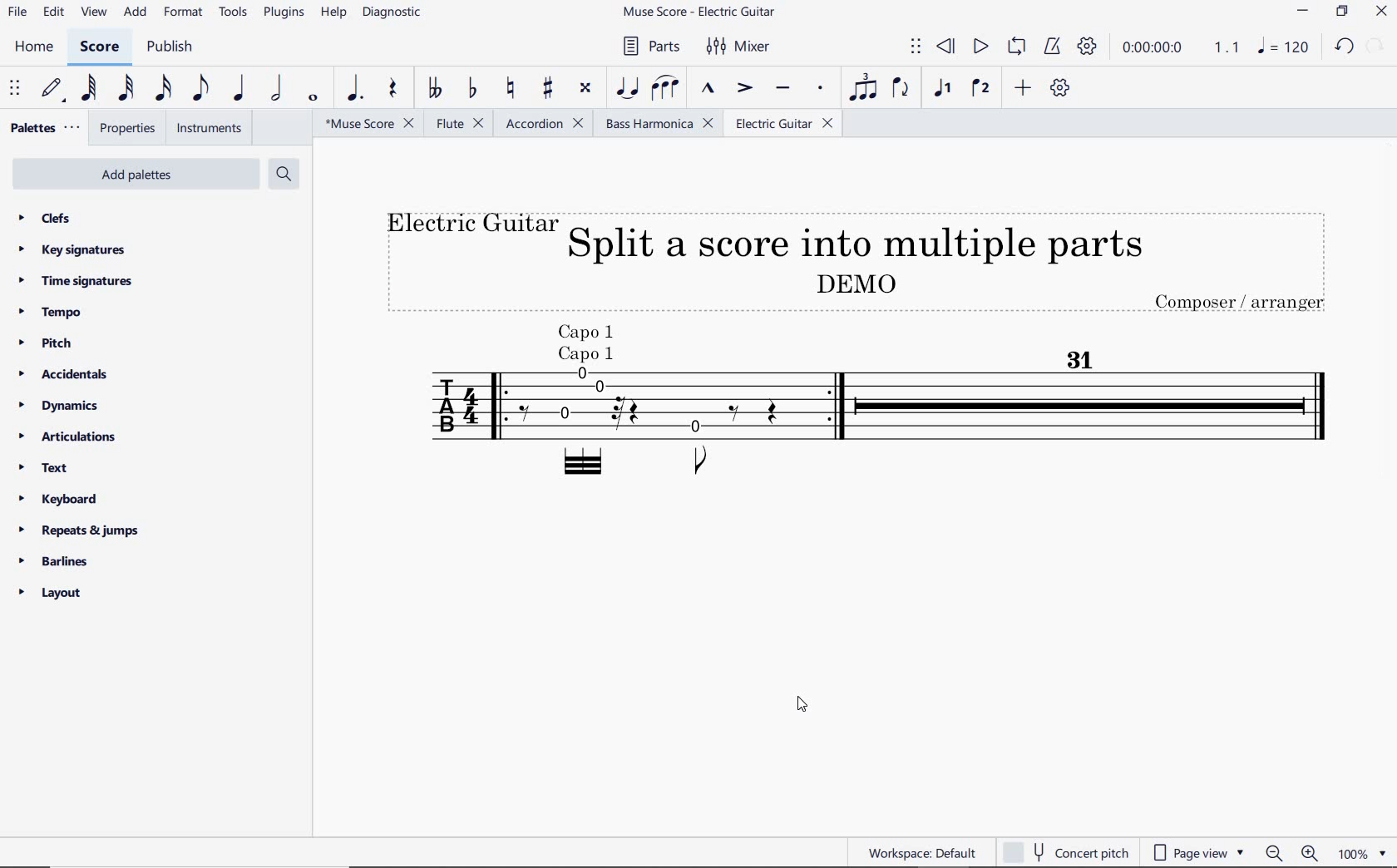 This screenshot has height=868, width=1397. Describe the element at coordinates (13, 87) in the screenshot. I see `select to move` at that location.